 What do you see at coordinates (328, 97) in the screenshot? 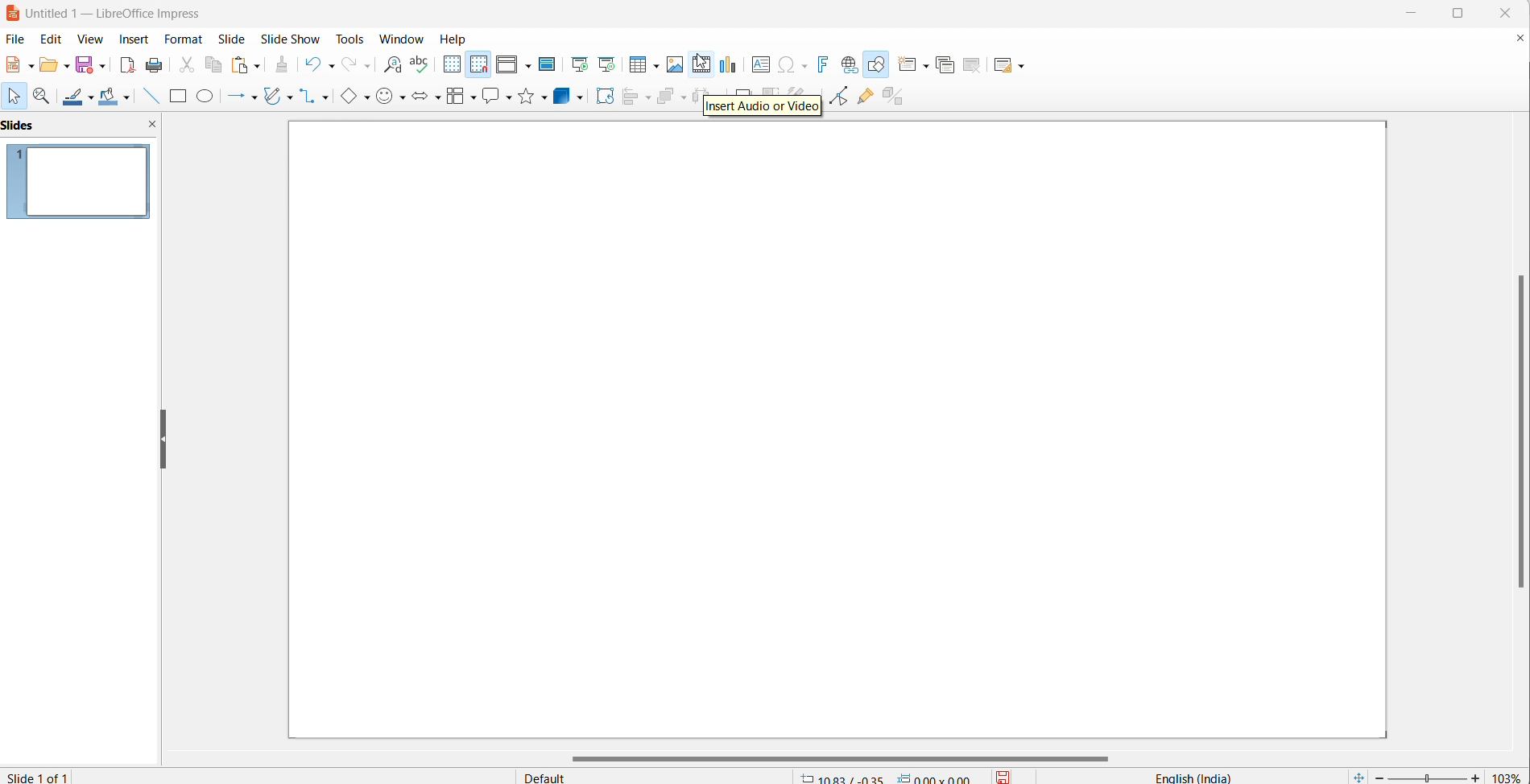
I see `connectors options` at bounding box center [328, 97].